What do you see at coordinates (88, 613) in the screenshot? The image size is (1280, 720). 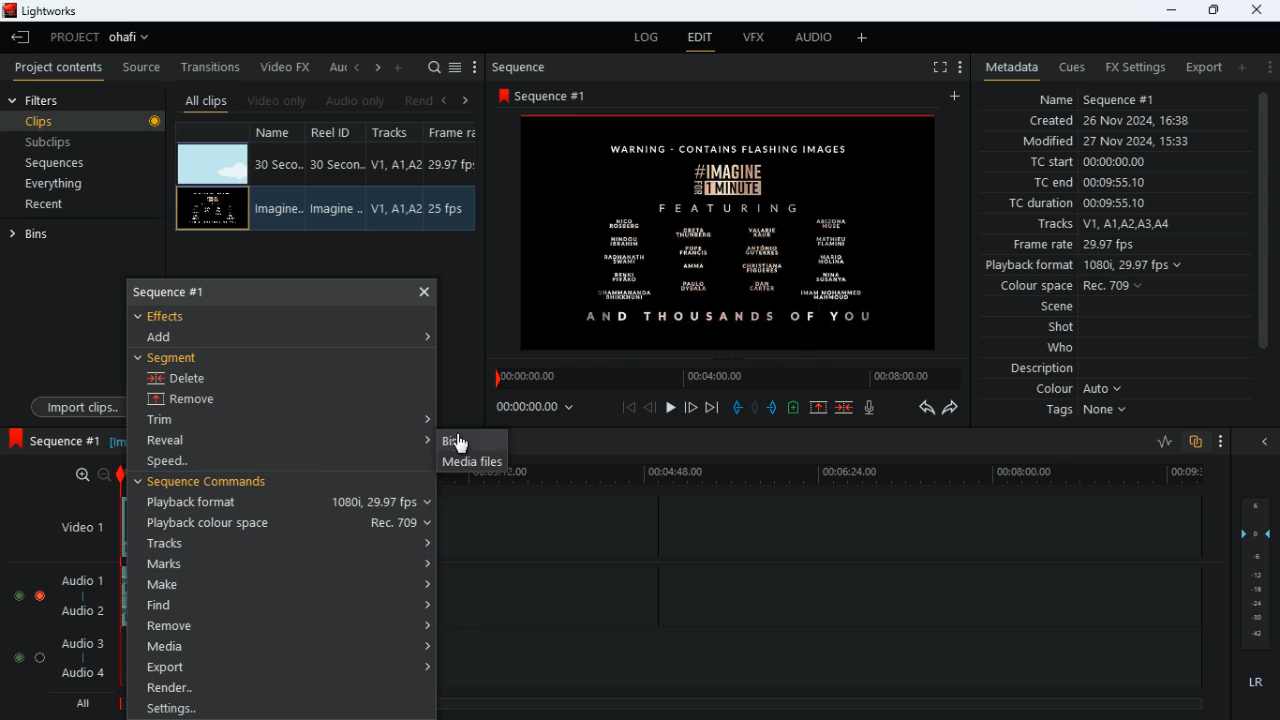 I see `audio 2` at bounding box center [88, 613].